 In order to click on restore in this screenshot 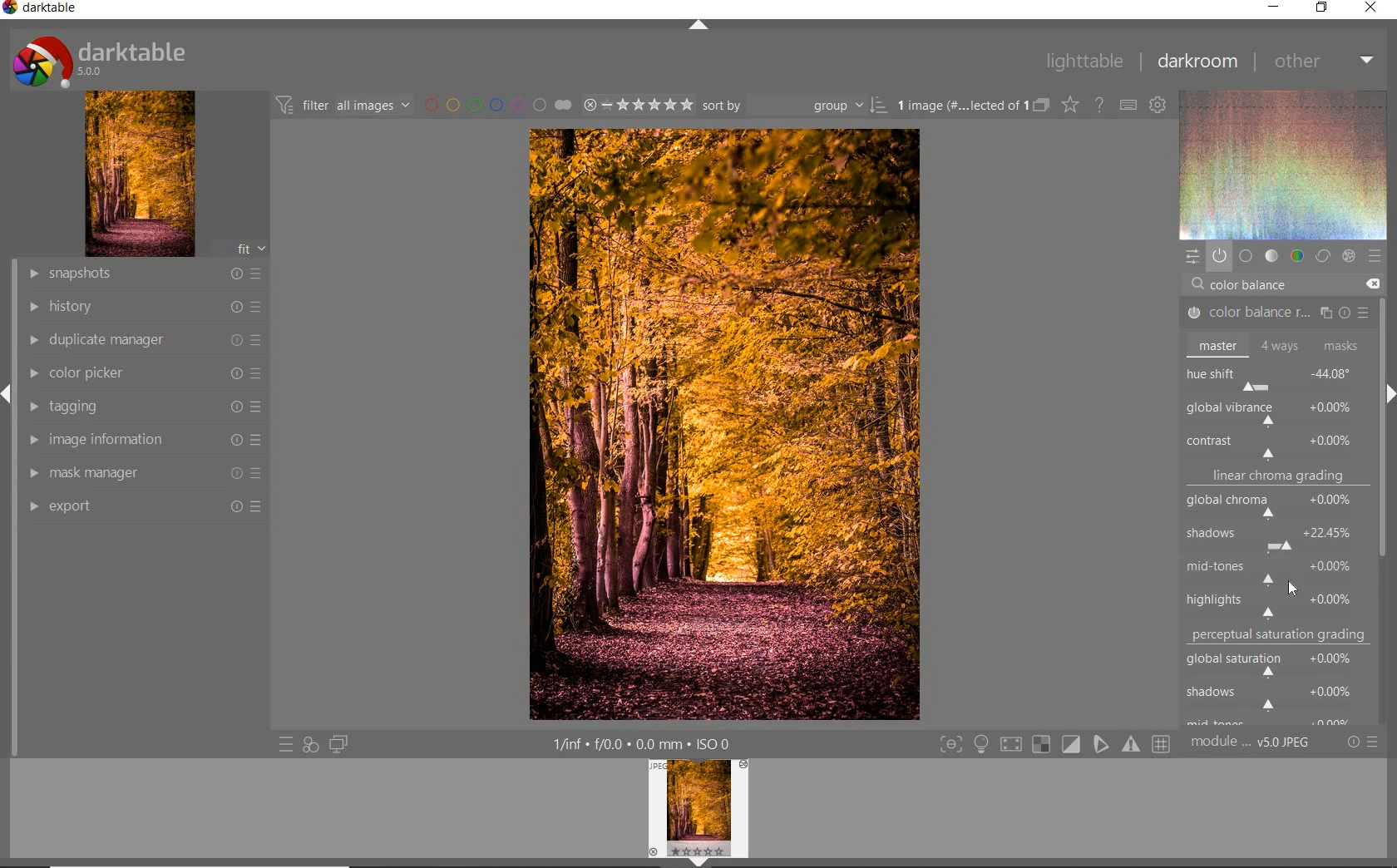, I will do `click(1320, 9)`.